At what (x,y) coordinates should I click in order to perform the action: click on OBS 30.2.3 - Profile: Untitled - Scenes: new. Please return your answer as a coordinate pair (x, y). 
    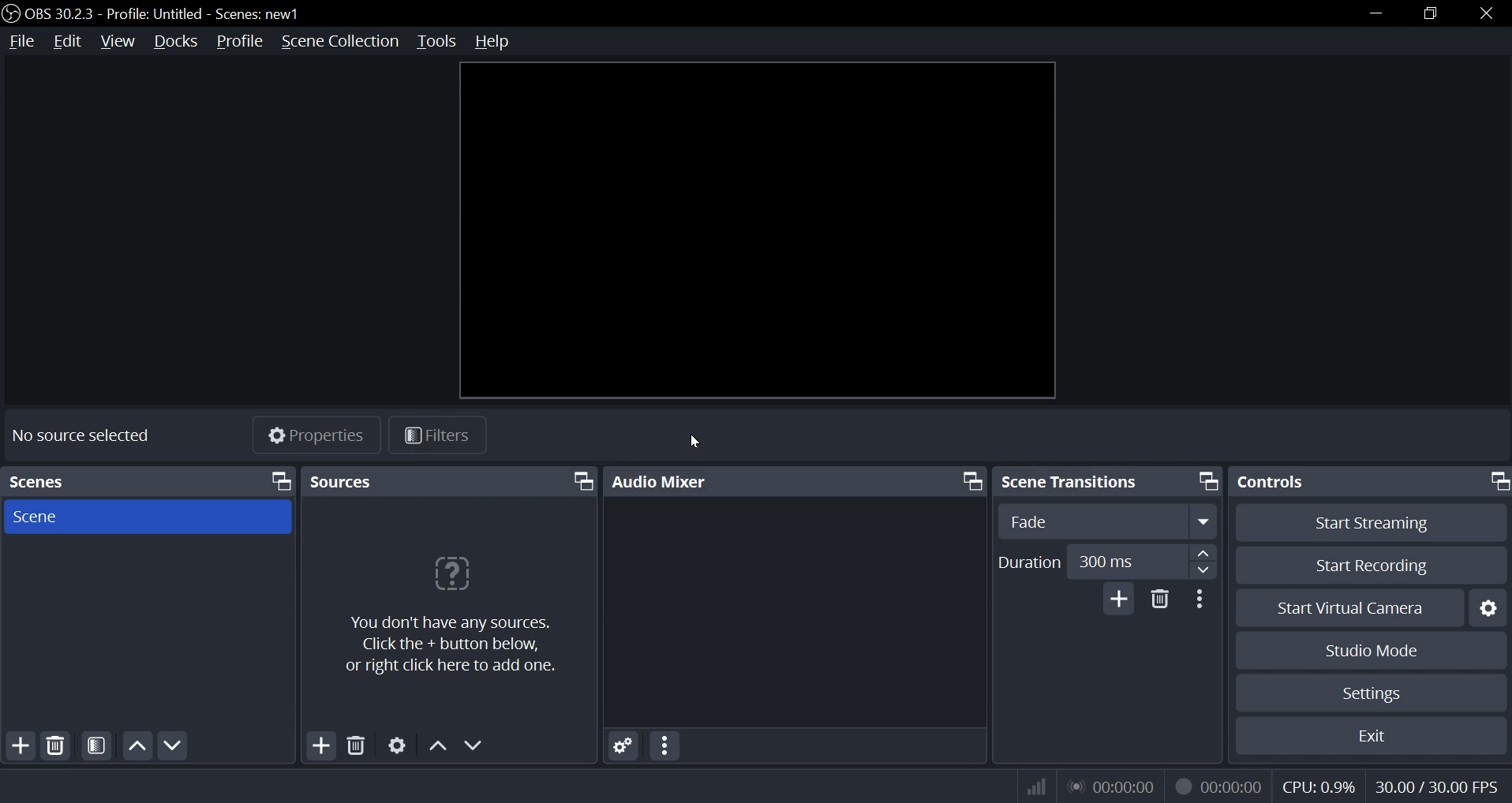
    Looking at the image, I should click on (111, 16).